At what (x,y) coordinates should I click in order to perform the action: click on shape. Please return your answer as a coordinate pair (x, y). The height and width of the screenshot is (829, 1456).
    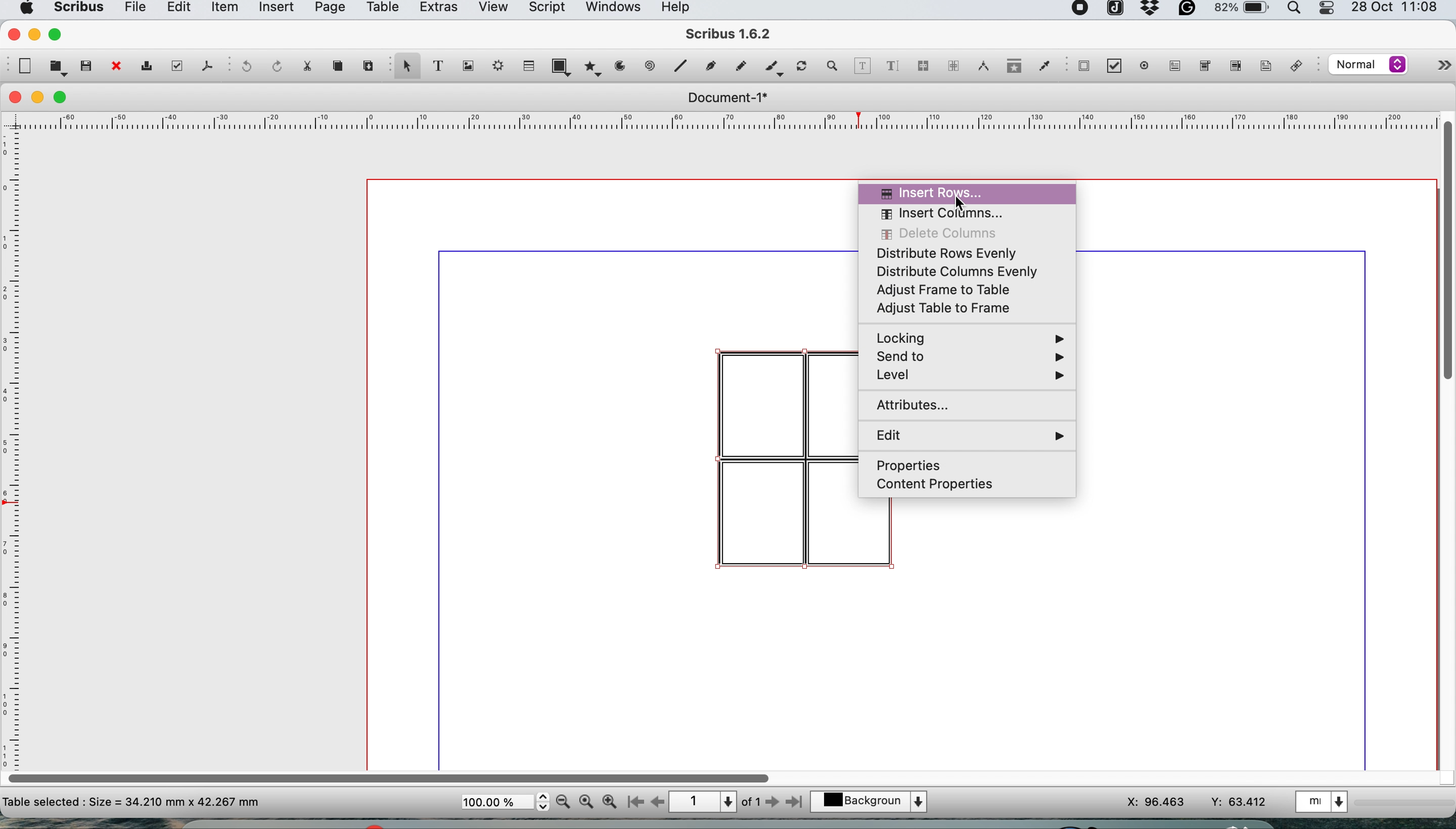
    Looking at the image, I should click on (564, 66).